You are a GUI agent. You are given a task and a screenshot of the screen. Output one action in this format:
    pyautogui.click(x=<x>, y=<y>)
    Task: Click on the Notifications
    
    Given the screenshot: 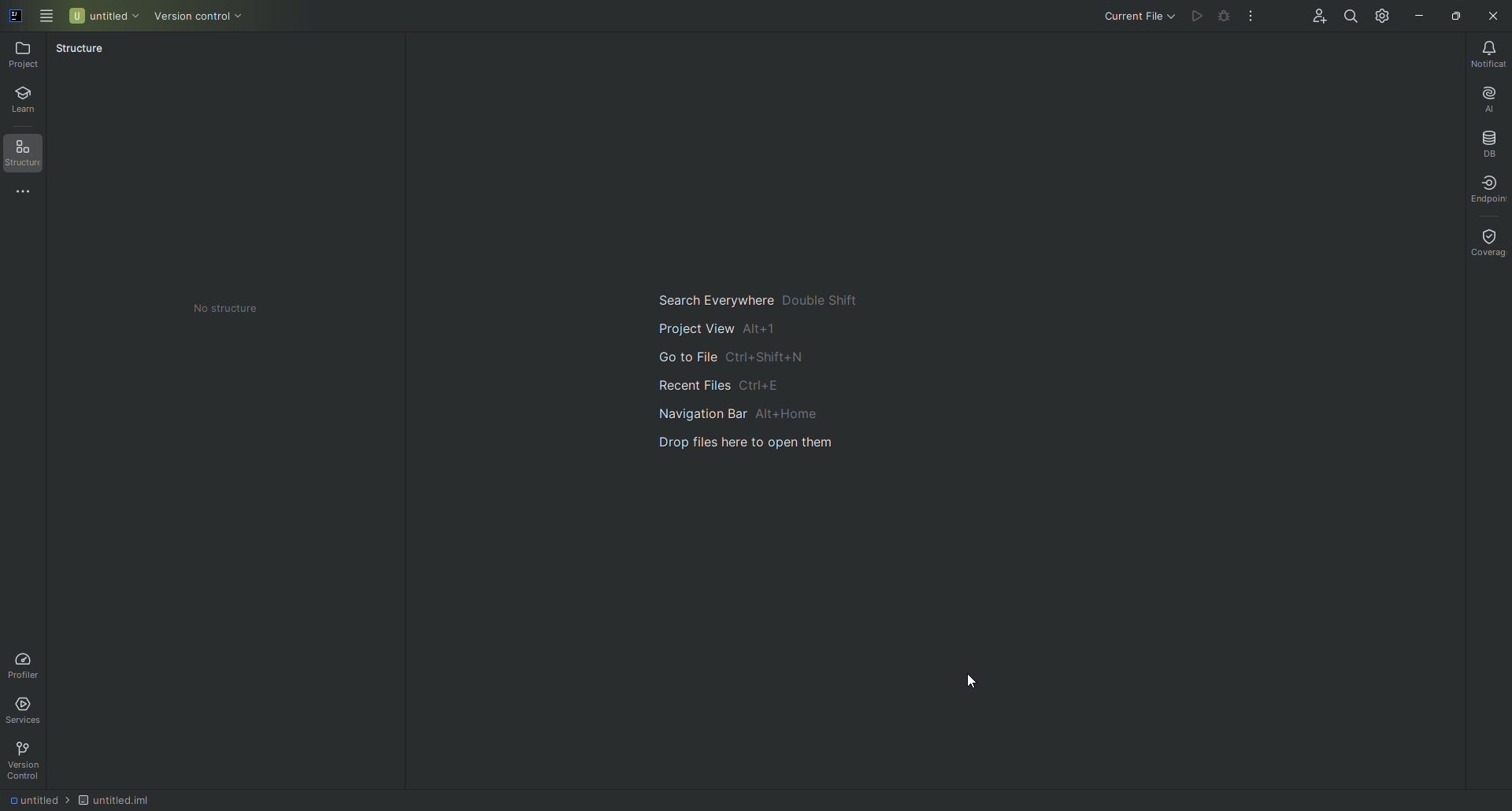 What is the action you would take?
    pyautogui.click(x=1486, y=52)
    